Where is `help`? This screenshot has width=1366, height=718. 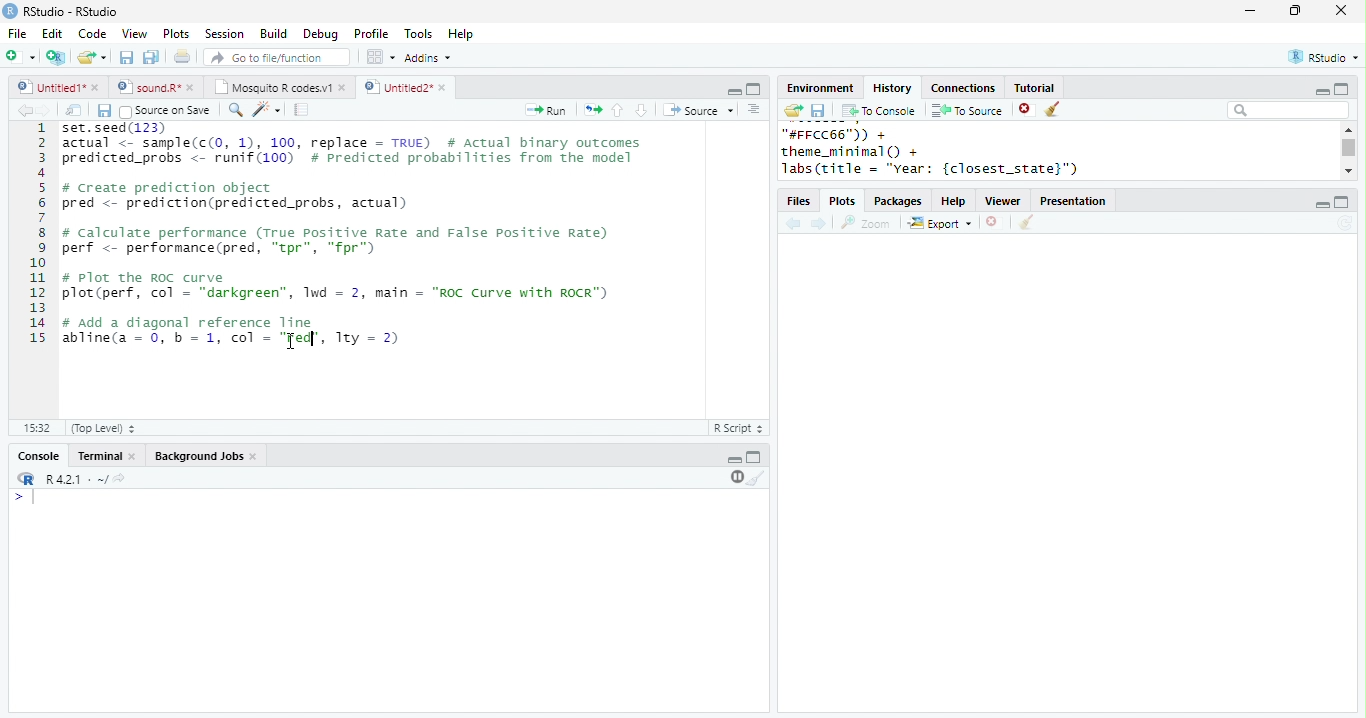 help is located at coordinates (954, 202).